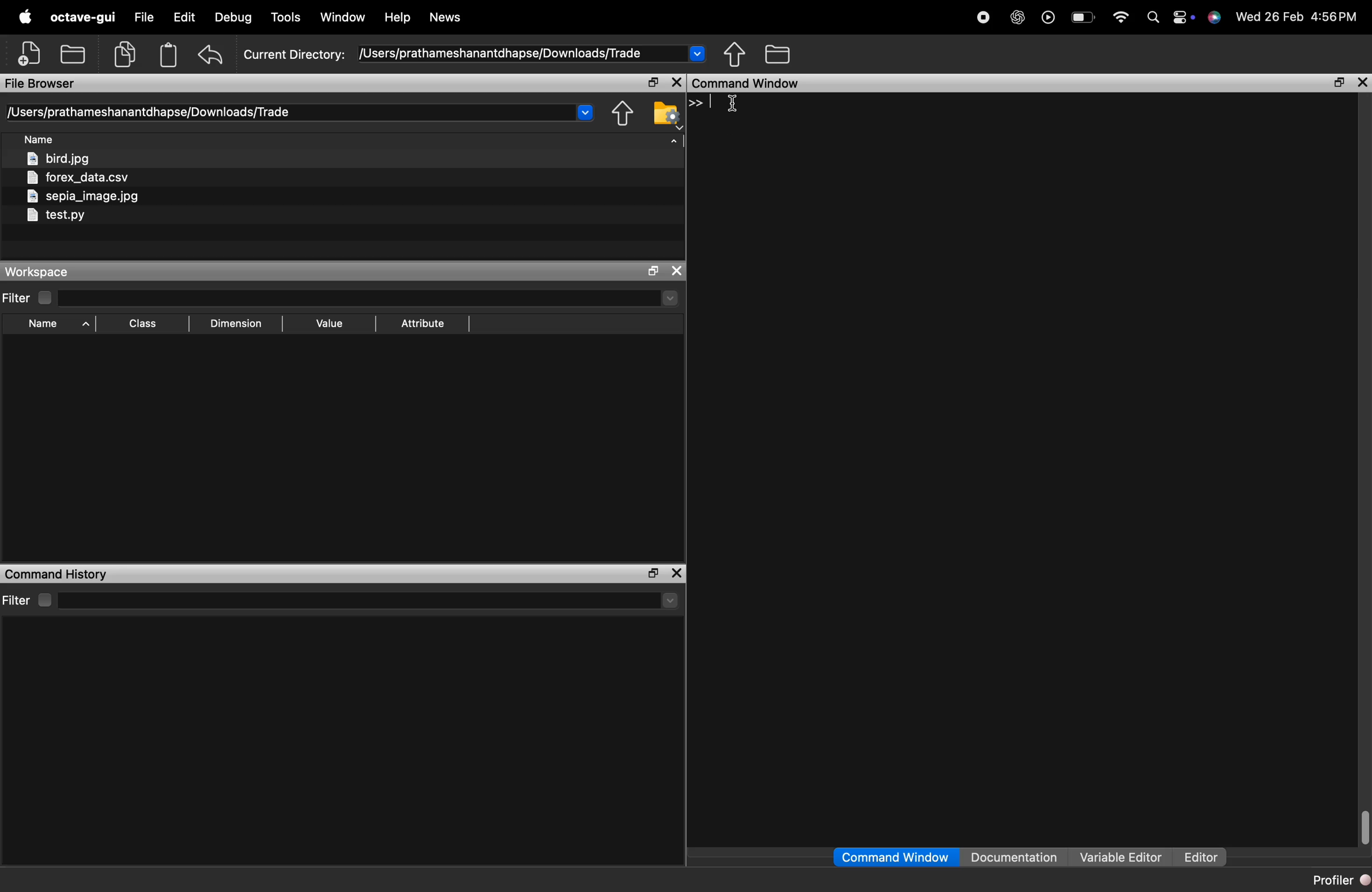 The width and height of the screenshot is (1372, 892). Describe the element at coordinates (986, 16) in the screenshot. I see `stop recording` at that location.